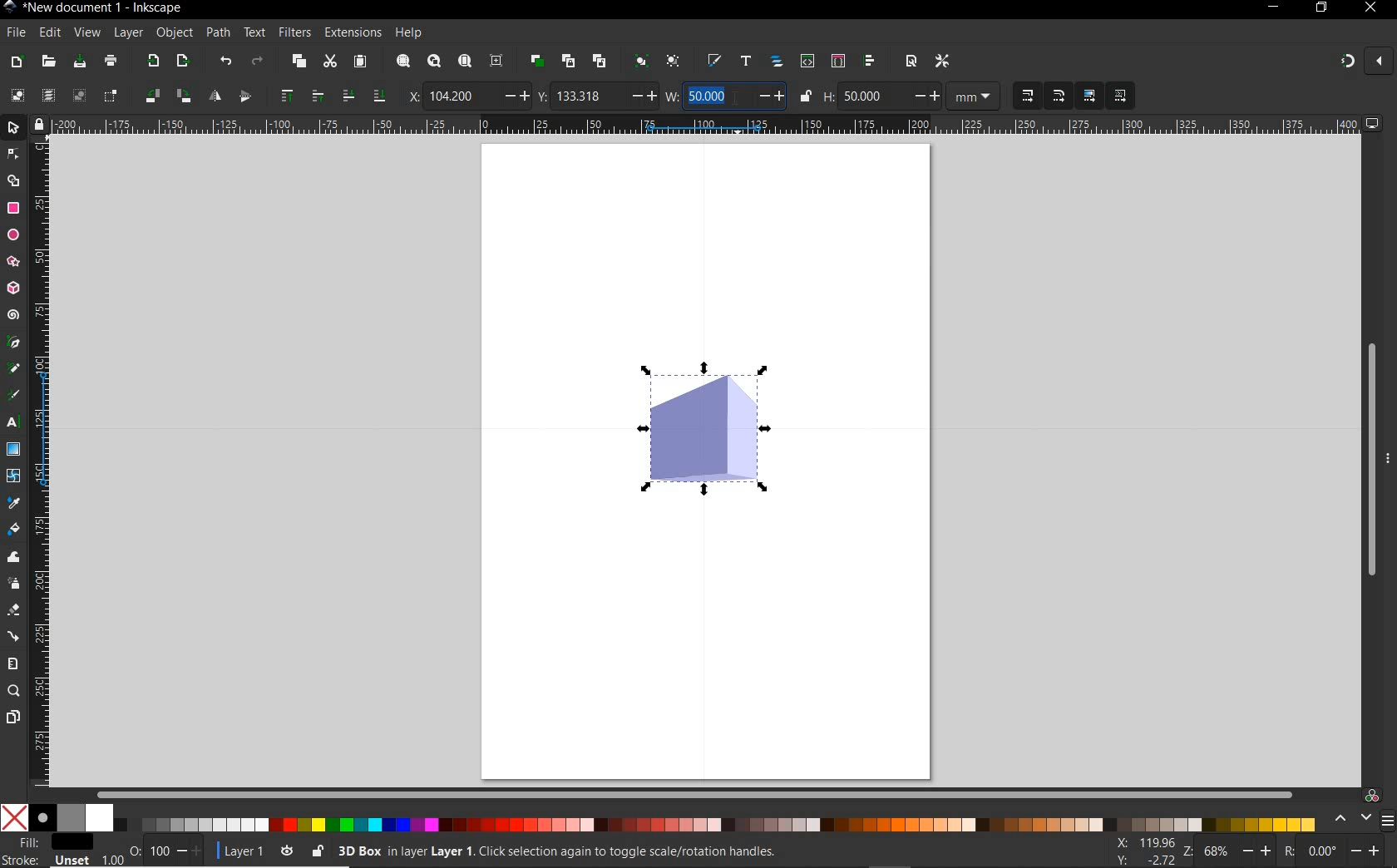 The width and height of the screenshot is (1397, 868). What do you see at coordinates (111, 858) in the screenshot?
I see `1.00` at bounding box center [111, 858].